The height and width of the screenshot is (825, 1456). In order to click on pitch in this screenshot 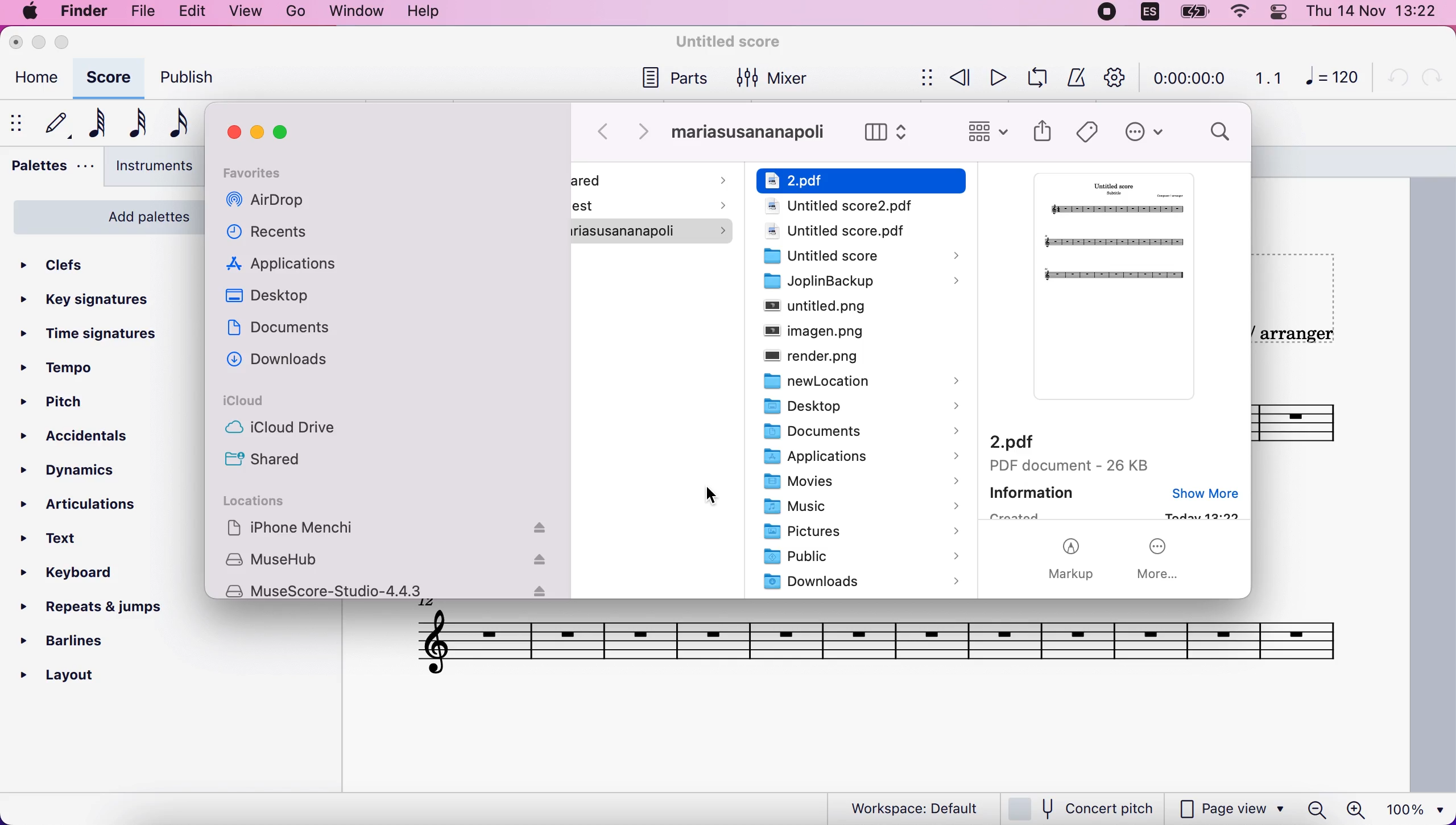, I will do `click(84, 398)`.